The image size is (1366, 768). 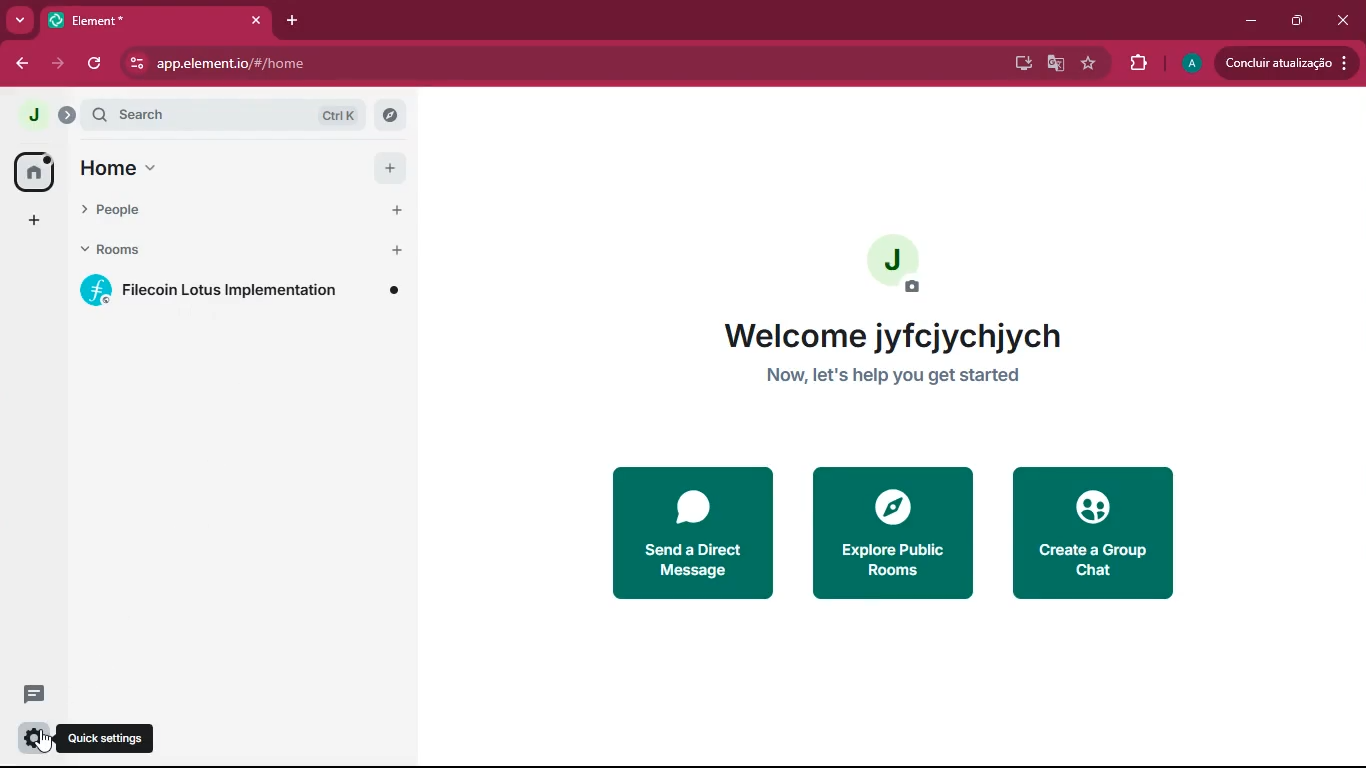 I want to click on close, so click(x=256, y=20).